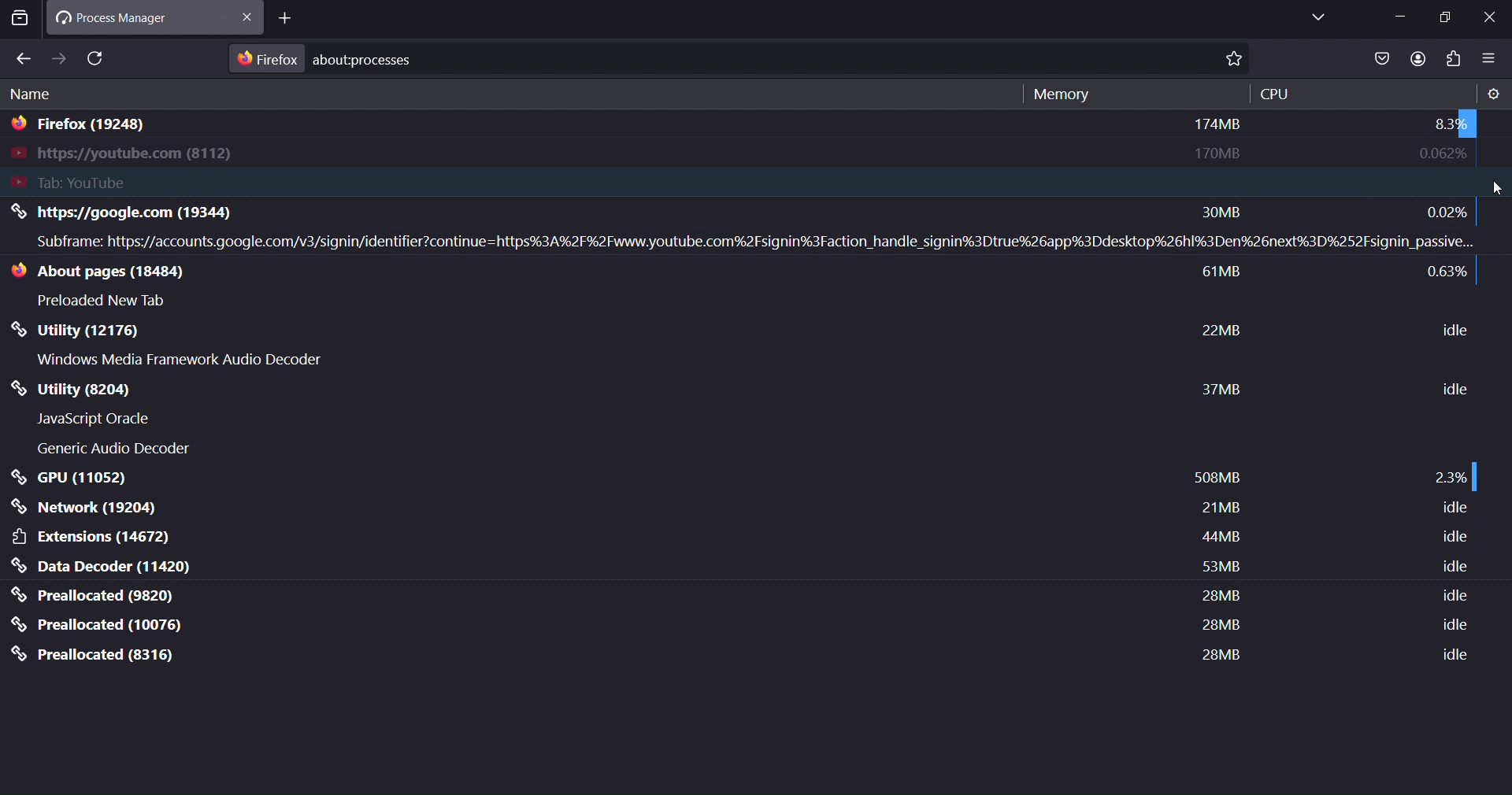 This screenshot has width=1512, height=795. I want to click on idle, so click(1456, 568).